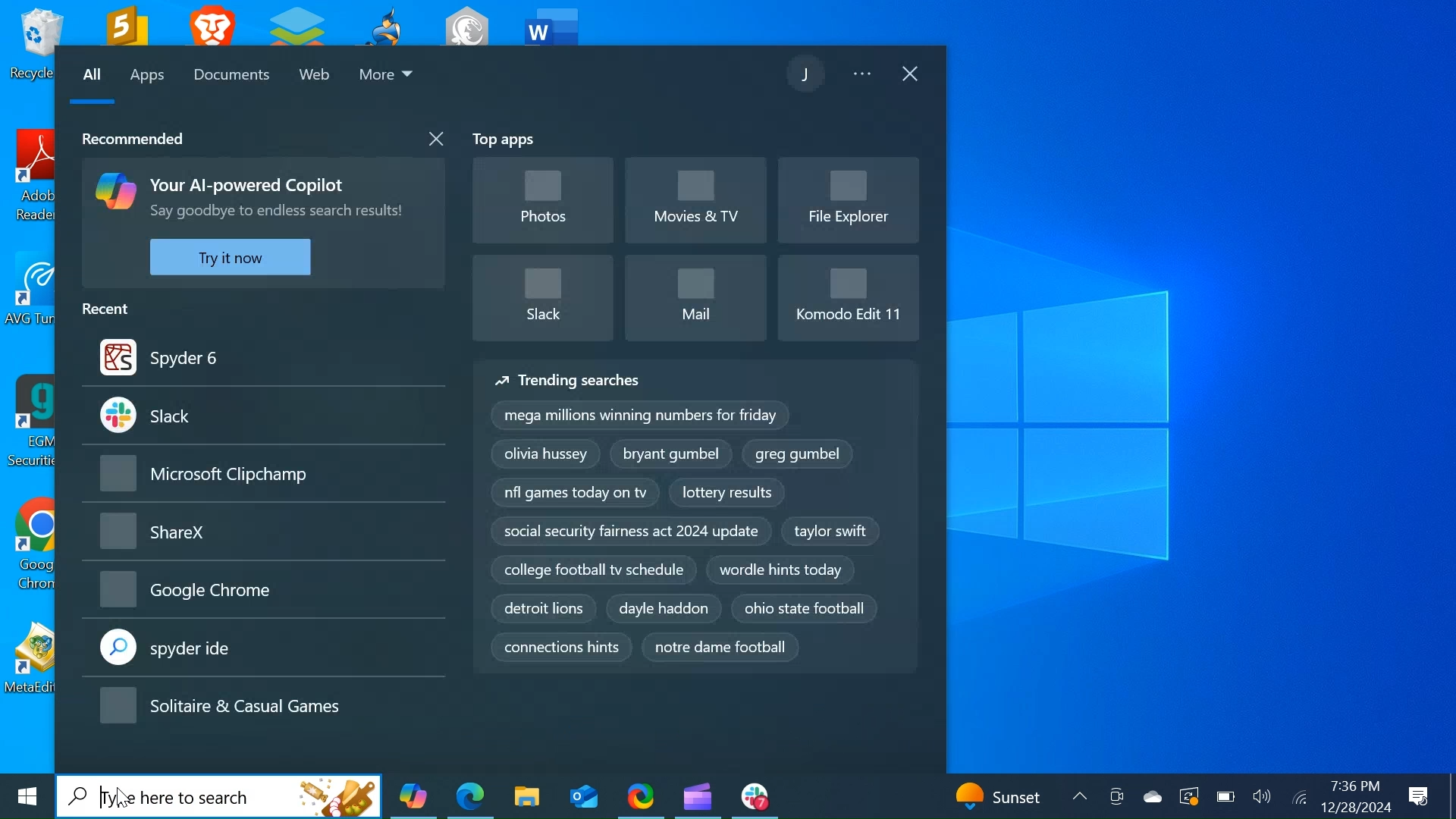 Image resolution: width=1456 pixels, height=819 pixels. What do you see at coordinates (912, 75) in the screenshot?
I see `Close` at bounding box center [912, 75].